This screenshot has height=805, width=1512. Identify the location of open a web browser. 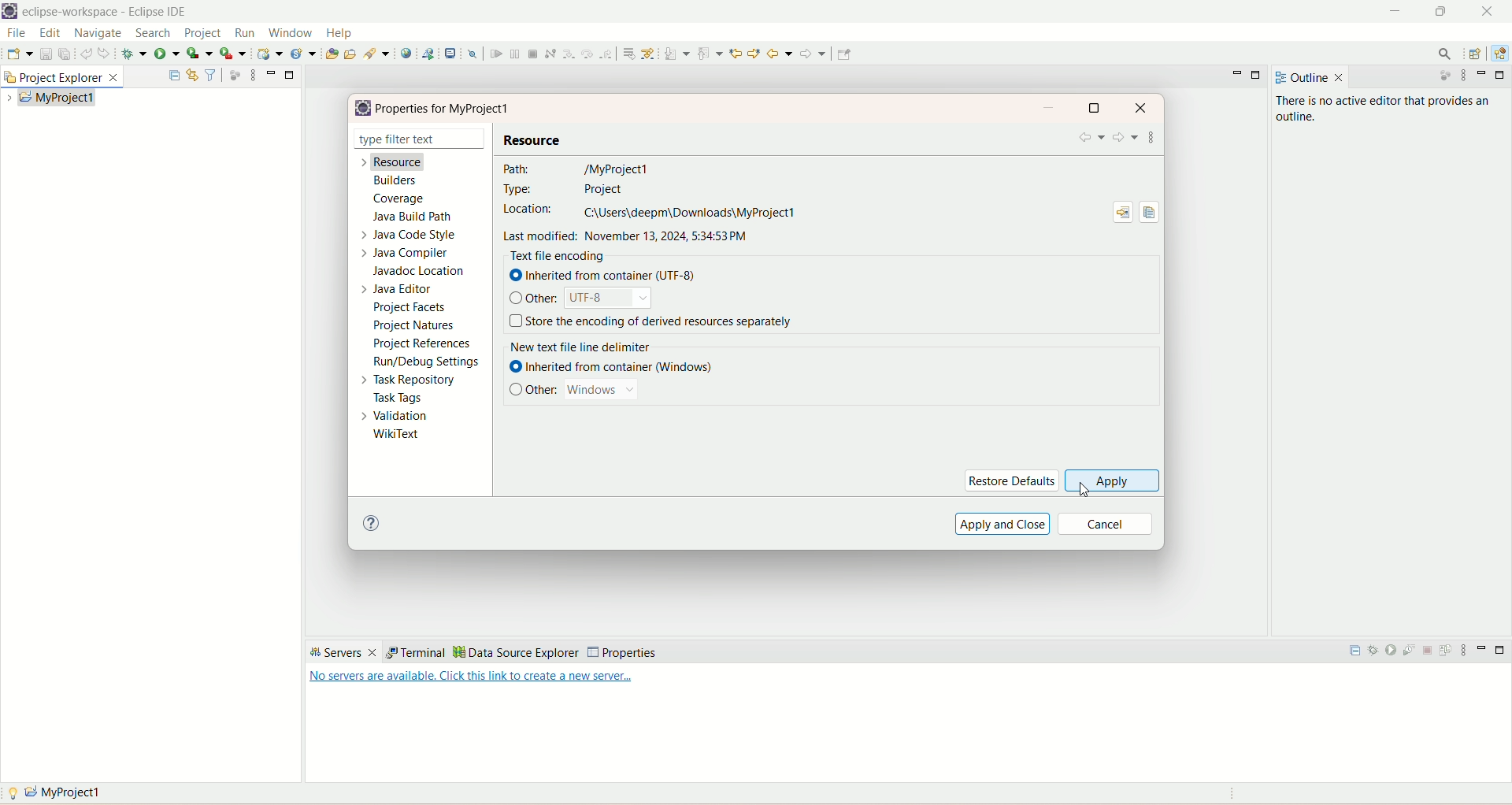
(409, 54).